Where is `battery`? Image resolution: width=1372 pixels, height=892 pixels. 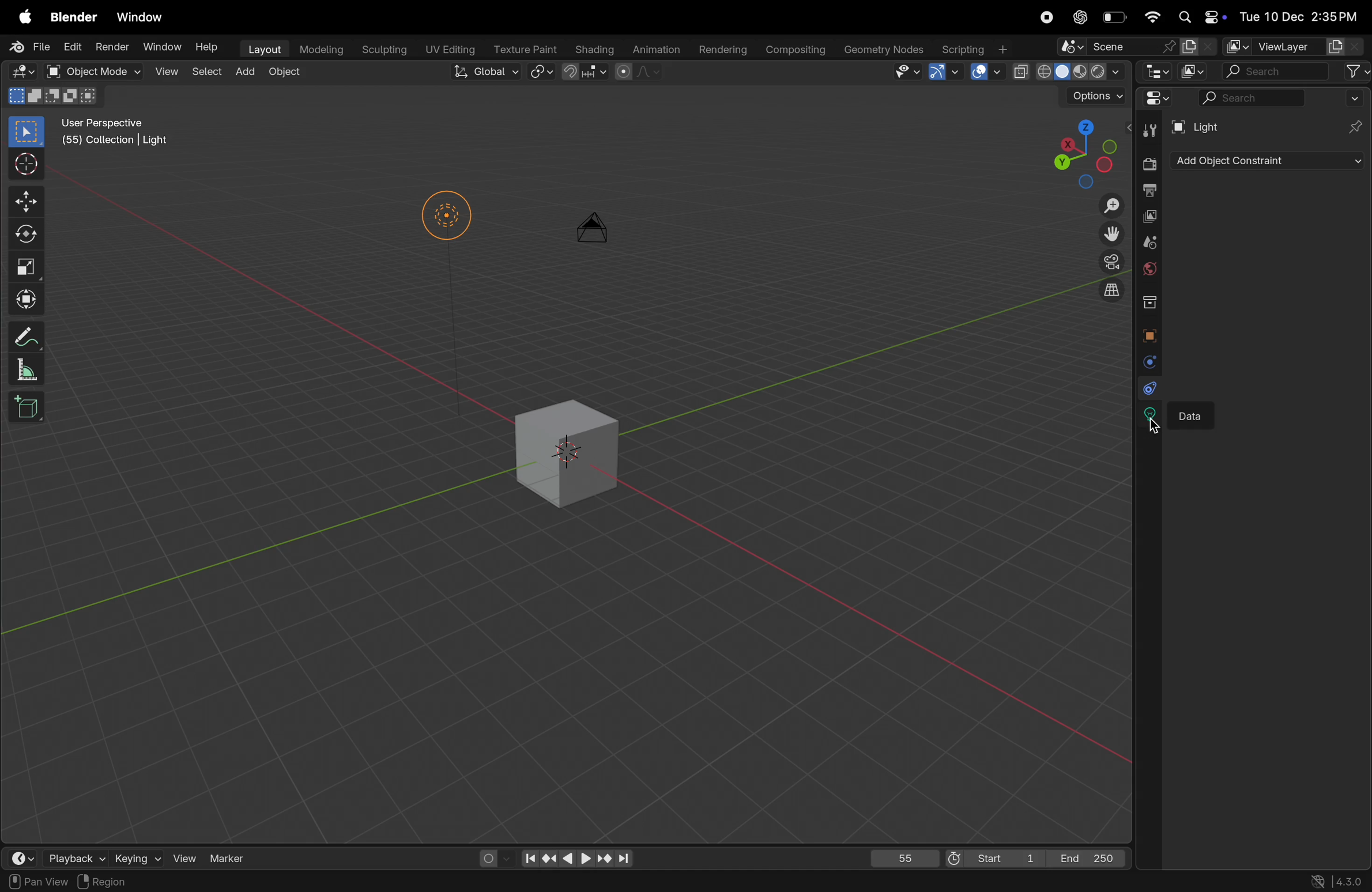 battery is located at coordinates (1115, 16).